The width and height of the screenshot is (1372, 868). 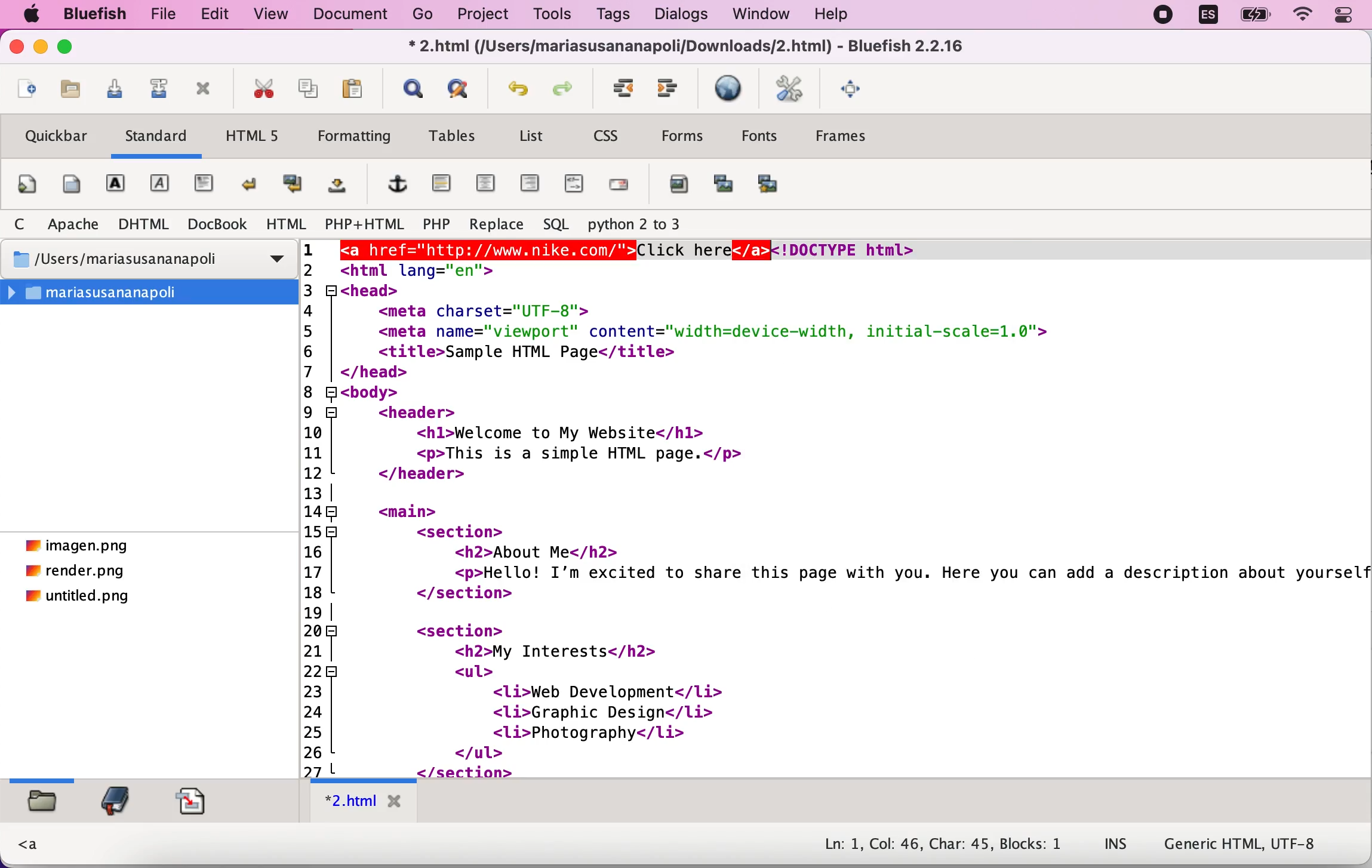 What do you see at coordinates (484, 184) in the screenshot?
I see `center` at bounding box center [484, 184].